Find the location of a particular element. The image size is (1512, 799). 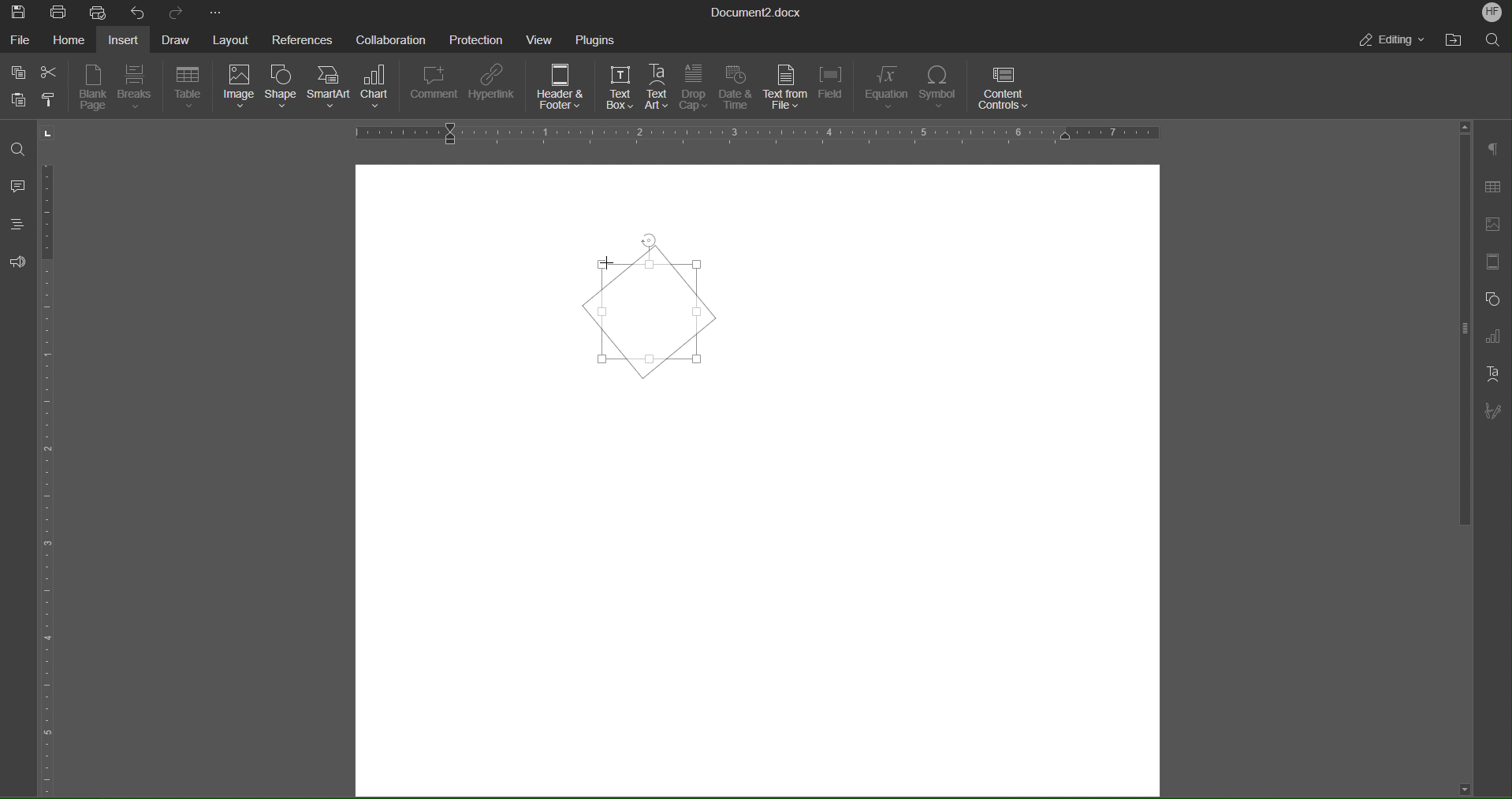

More is located at coordinates (216, 11).